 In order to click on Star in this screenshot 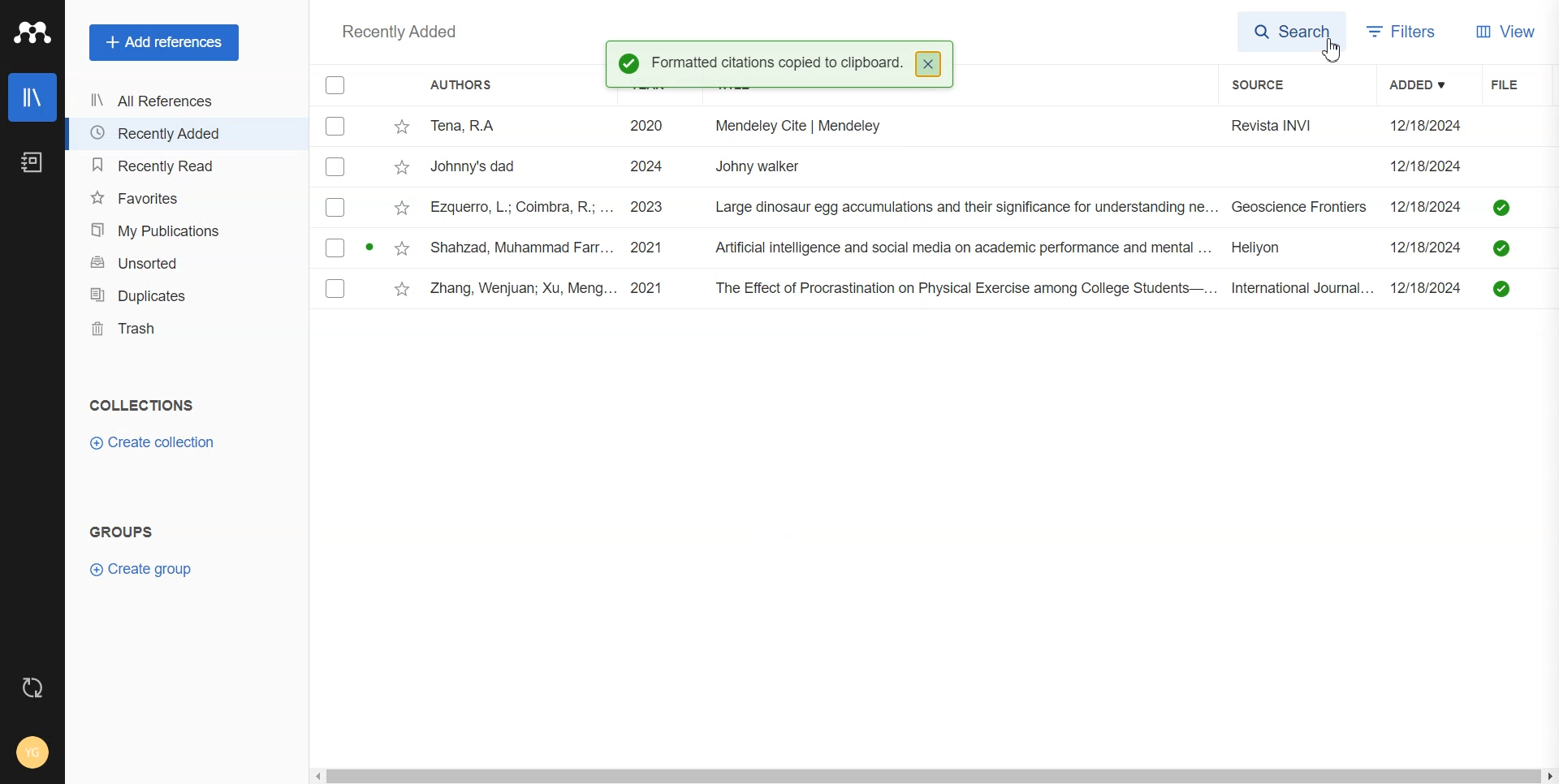, I will do `click(402, 128)`.